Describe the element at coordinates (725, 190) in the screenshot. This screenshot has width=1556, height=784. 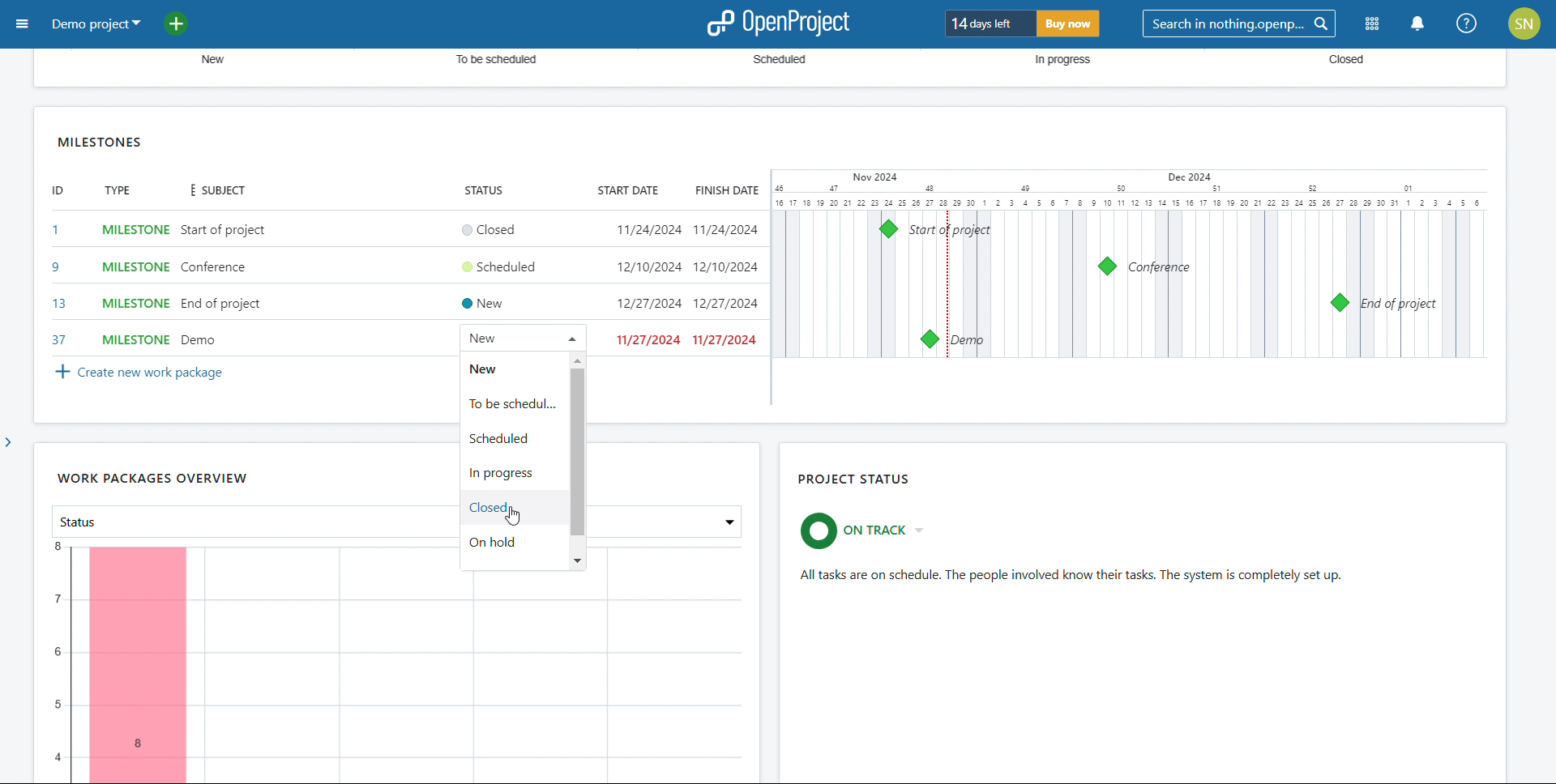
I see `finish date` at that location.